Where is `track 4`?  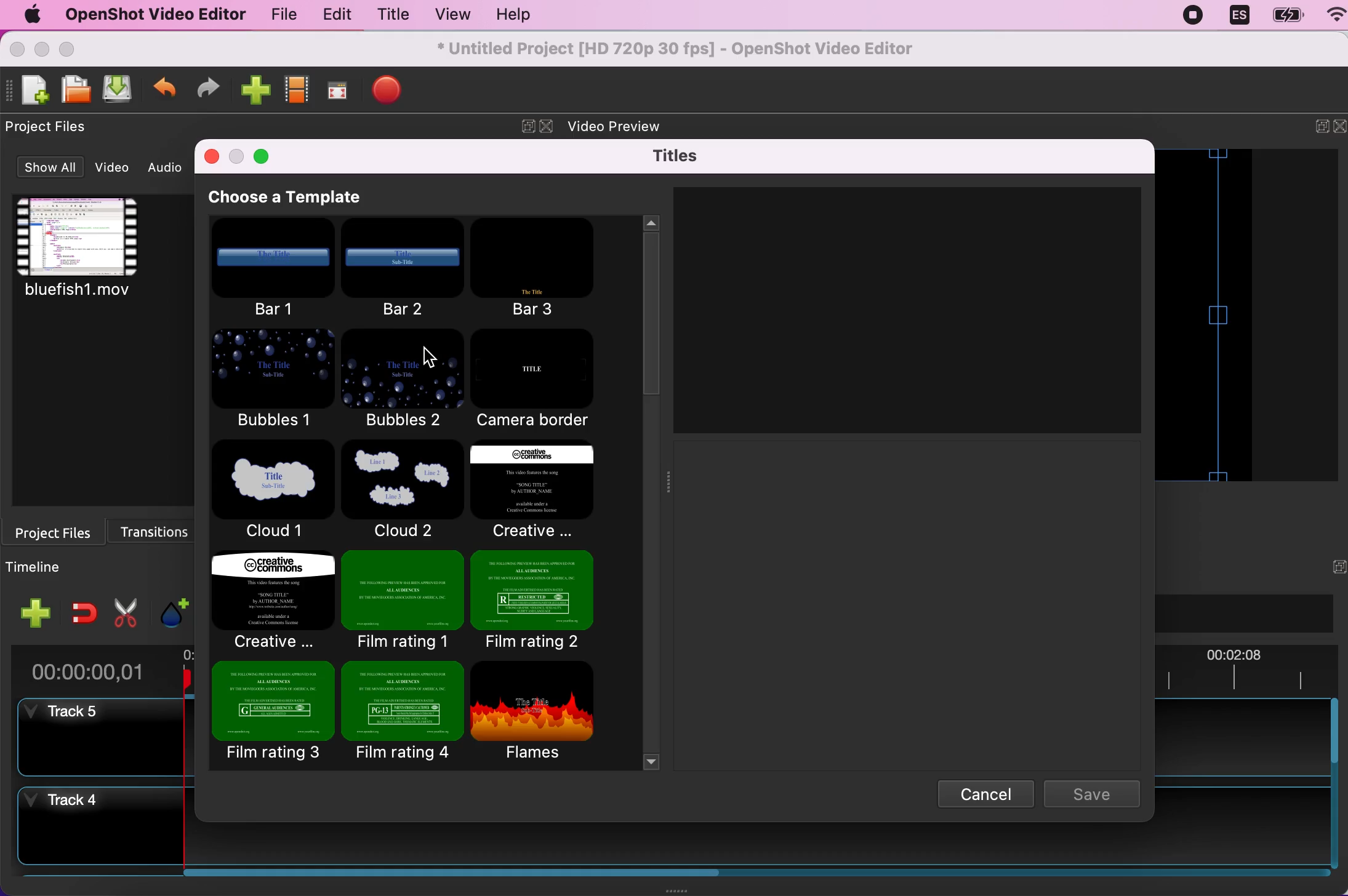
track 4 is located at coordinates (91, 828).